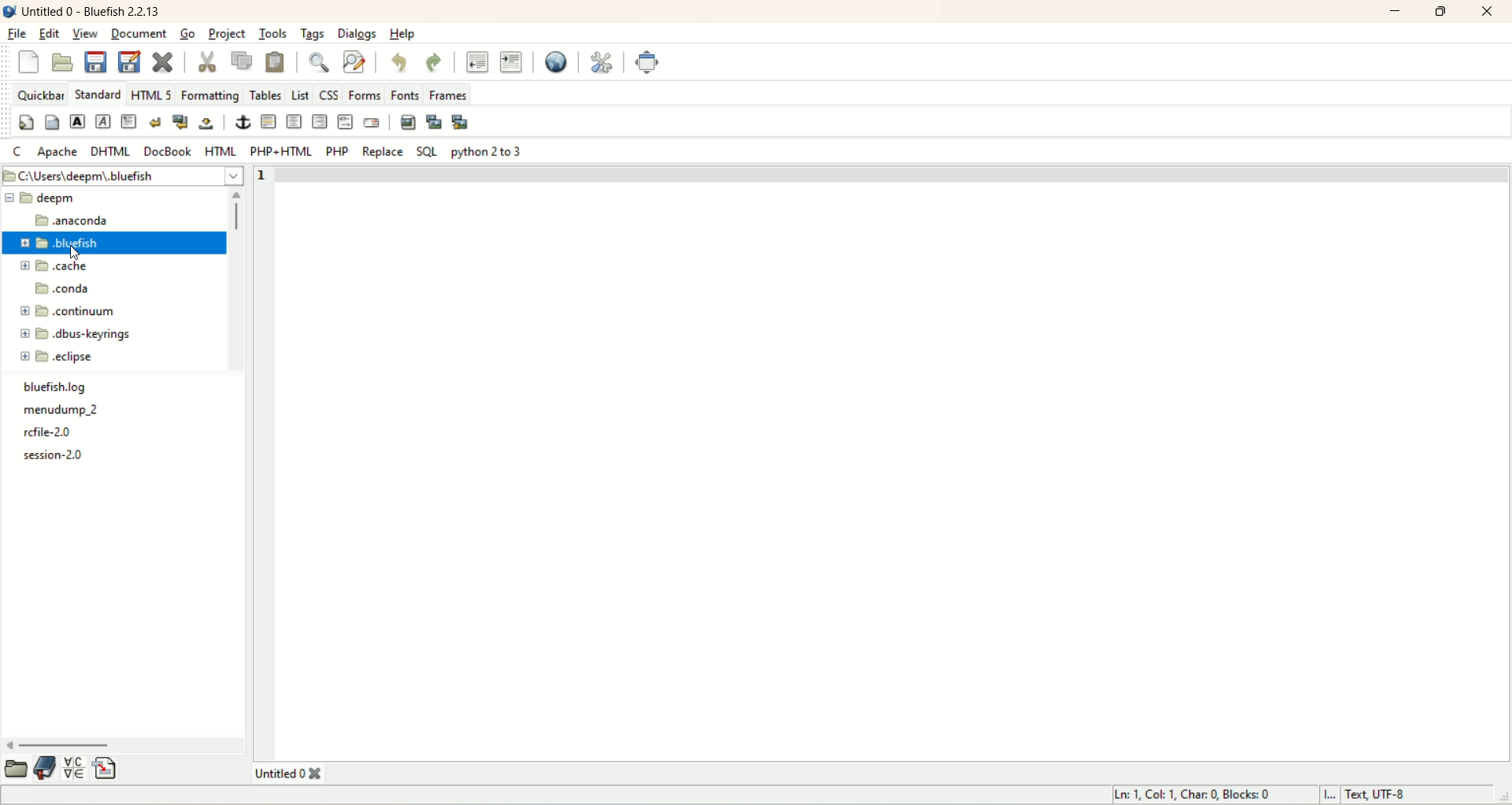 The width and height of the screenshot is (1512, 805). I want to click on PHP+HTML, so click(280, 150).